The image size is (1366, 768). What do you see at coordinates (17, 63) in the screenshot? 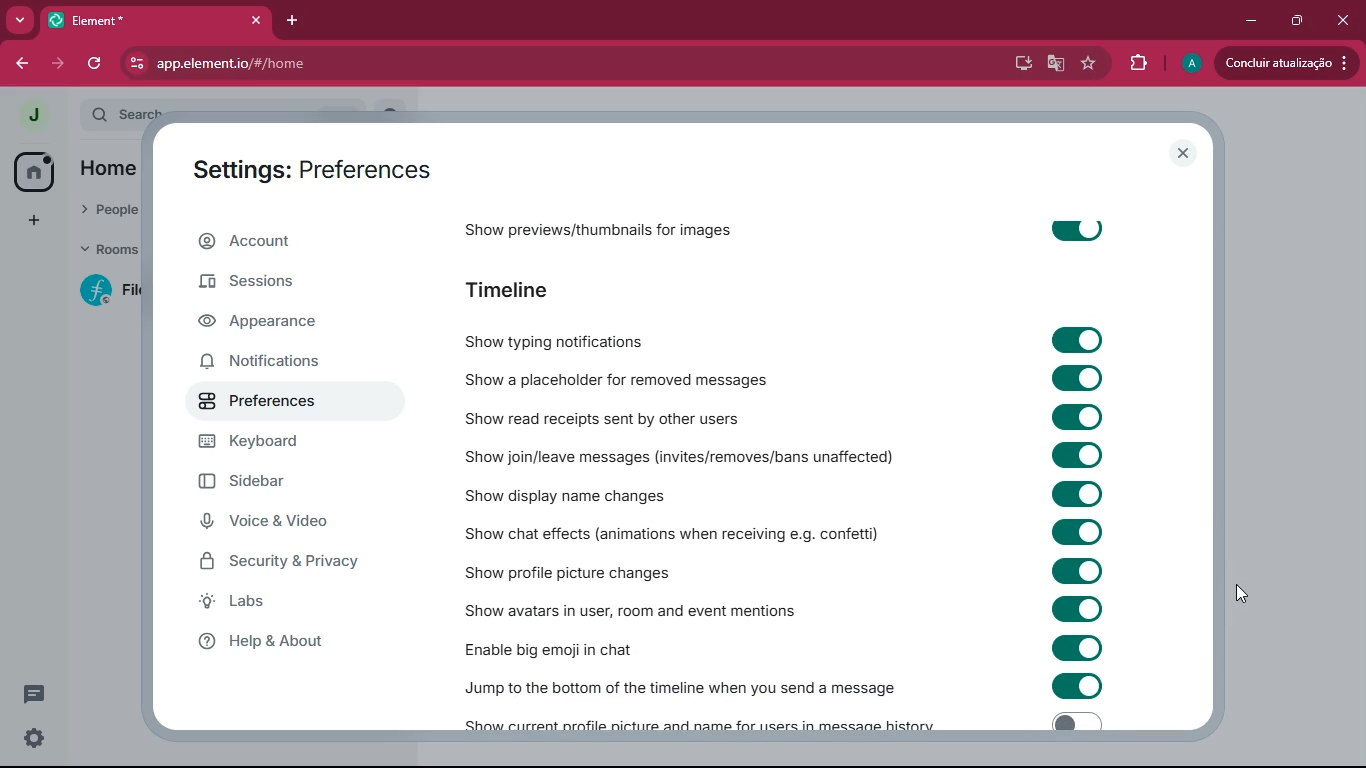
I see `back` at bounding box center [17, 63].